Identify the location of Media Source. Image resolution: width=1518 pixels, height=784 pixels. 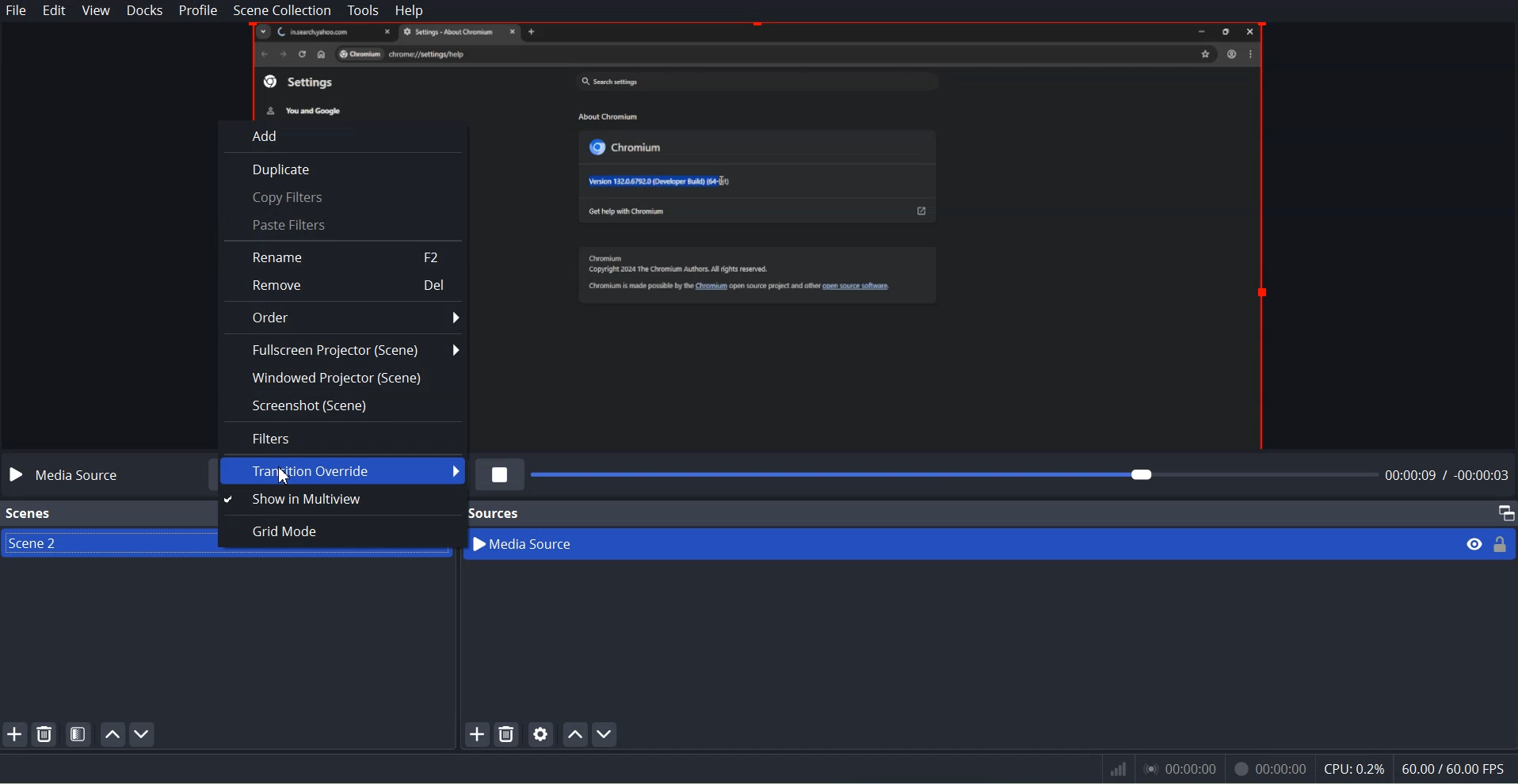
(963, 543).